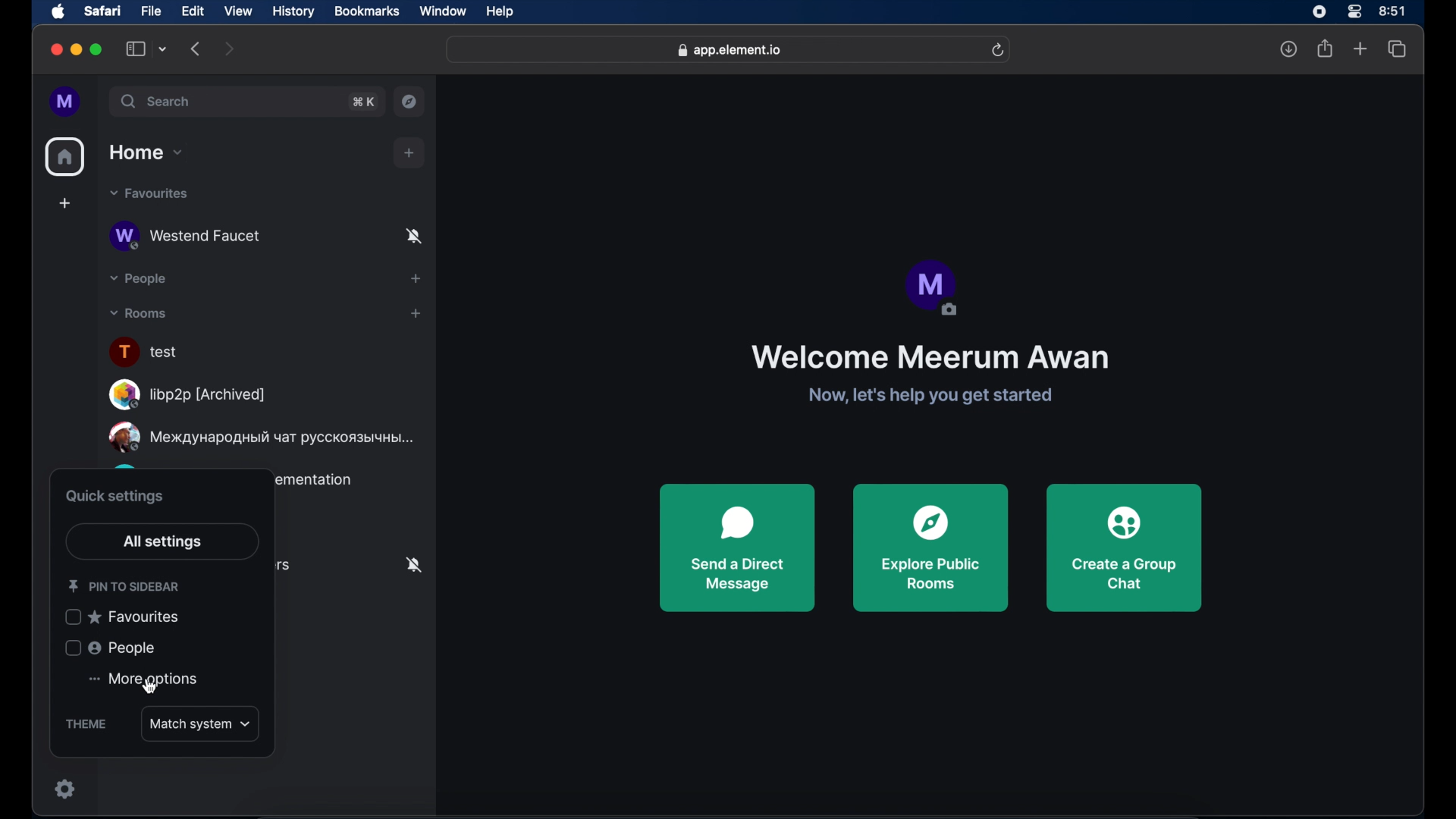  I want to click on home, so click(66, 157).